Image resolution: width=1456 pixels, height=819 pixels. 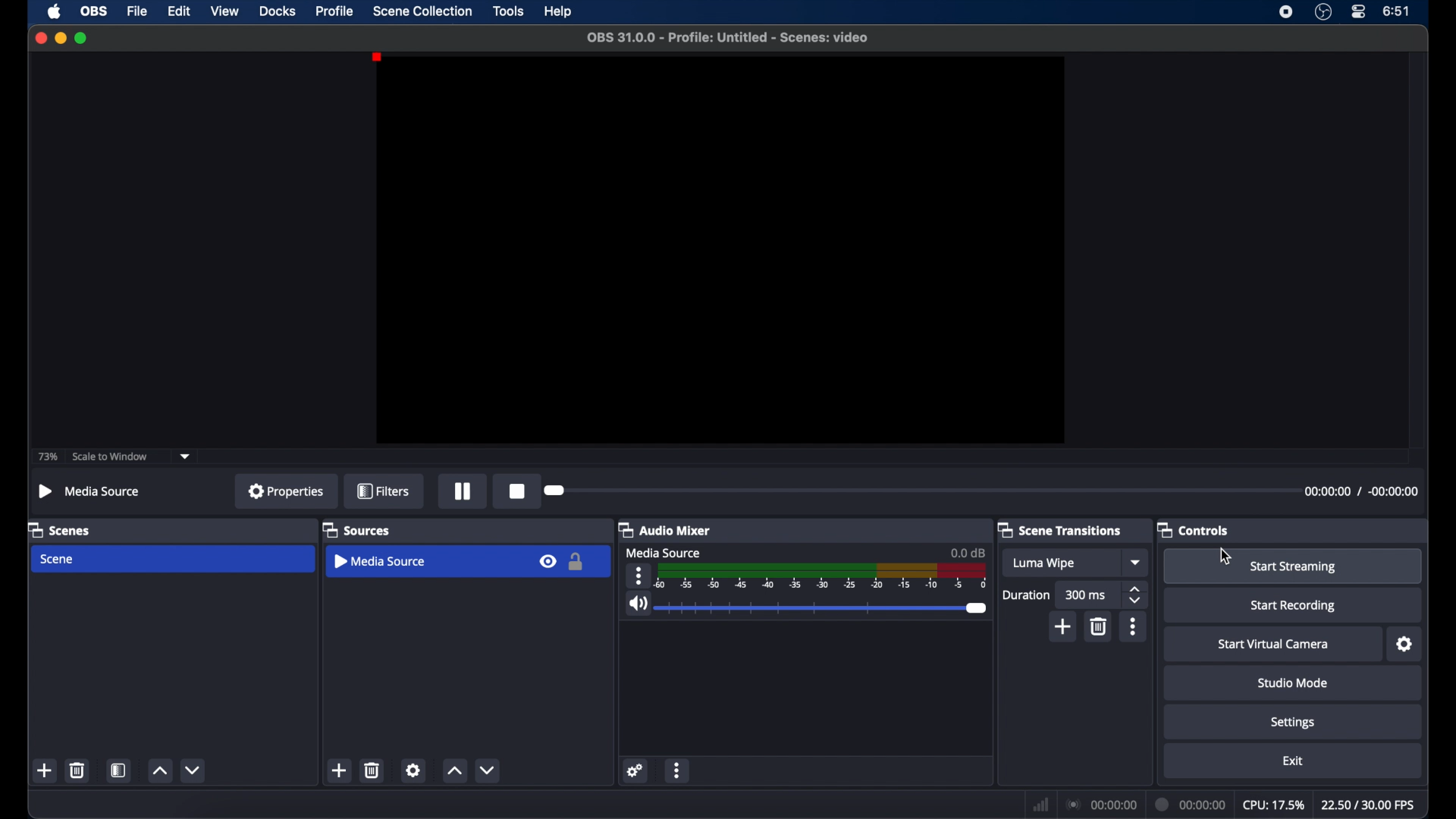 What do you see at coordinates (1136, 562) in the screenshot?
I see `dropdown` at bounding box center [1136, 562].